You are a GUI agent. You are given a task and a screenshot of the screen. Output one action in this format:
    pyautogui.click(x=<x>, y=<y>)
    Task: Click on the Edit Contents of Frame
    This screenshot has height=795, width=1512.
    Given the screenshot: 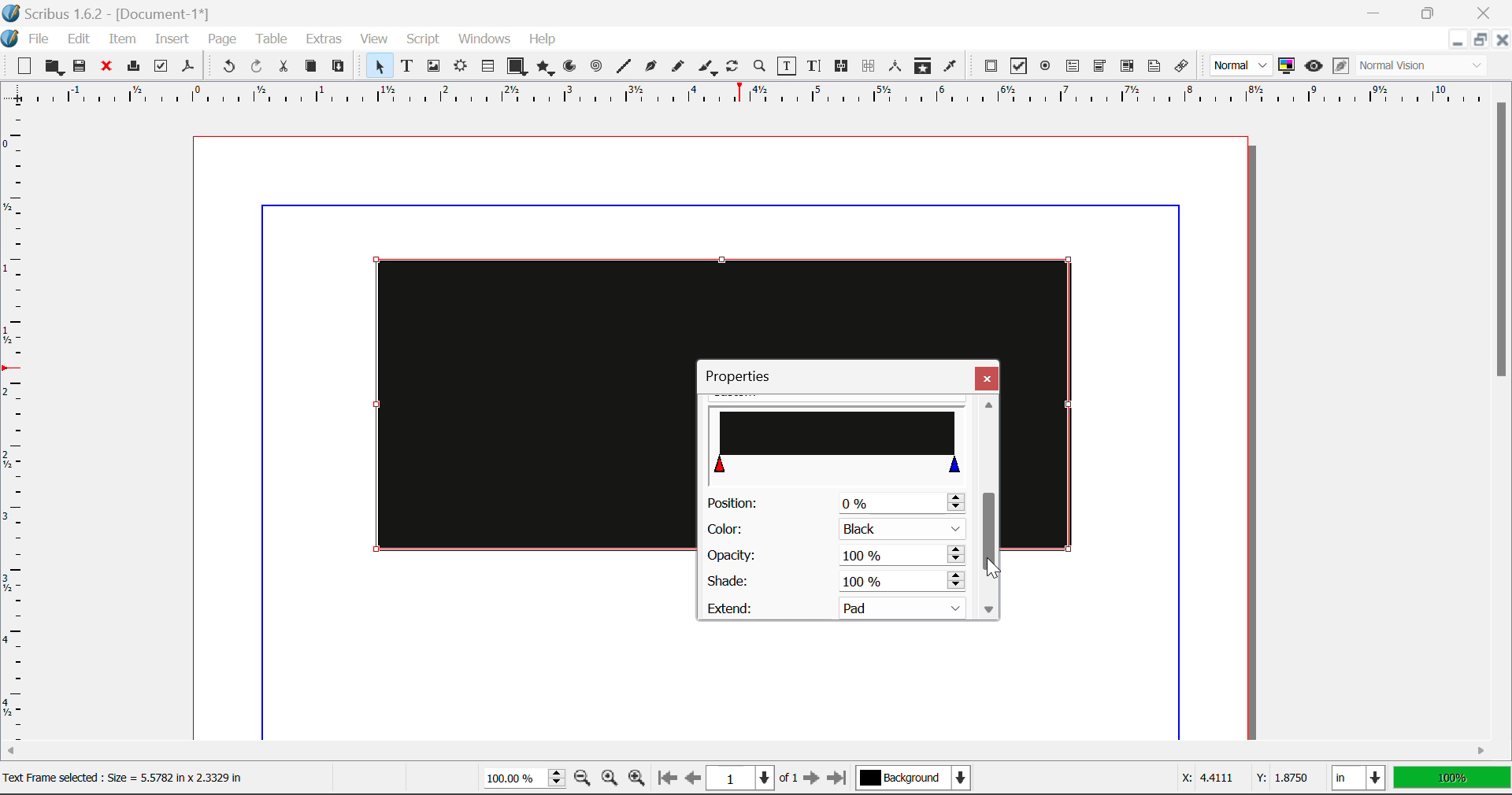 What is the action you would take?
    pyautogui.click(x=787, y=68)
    